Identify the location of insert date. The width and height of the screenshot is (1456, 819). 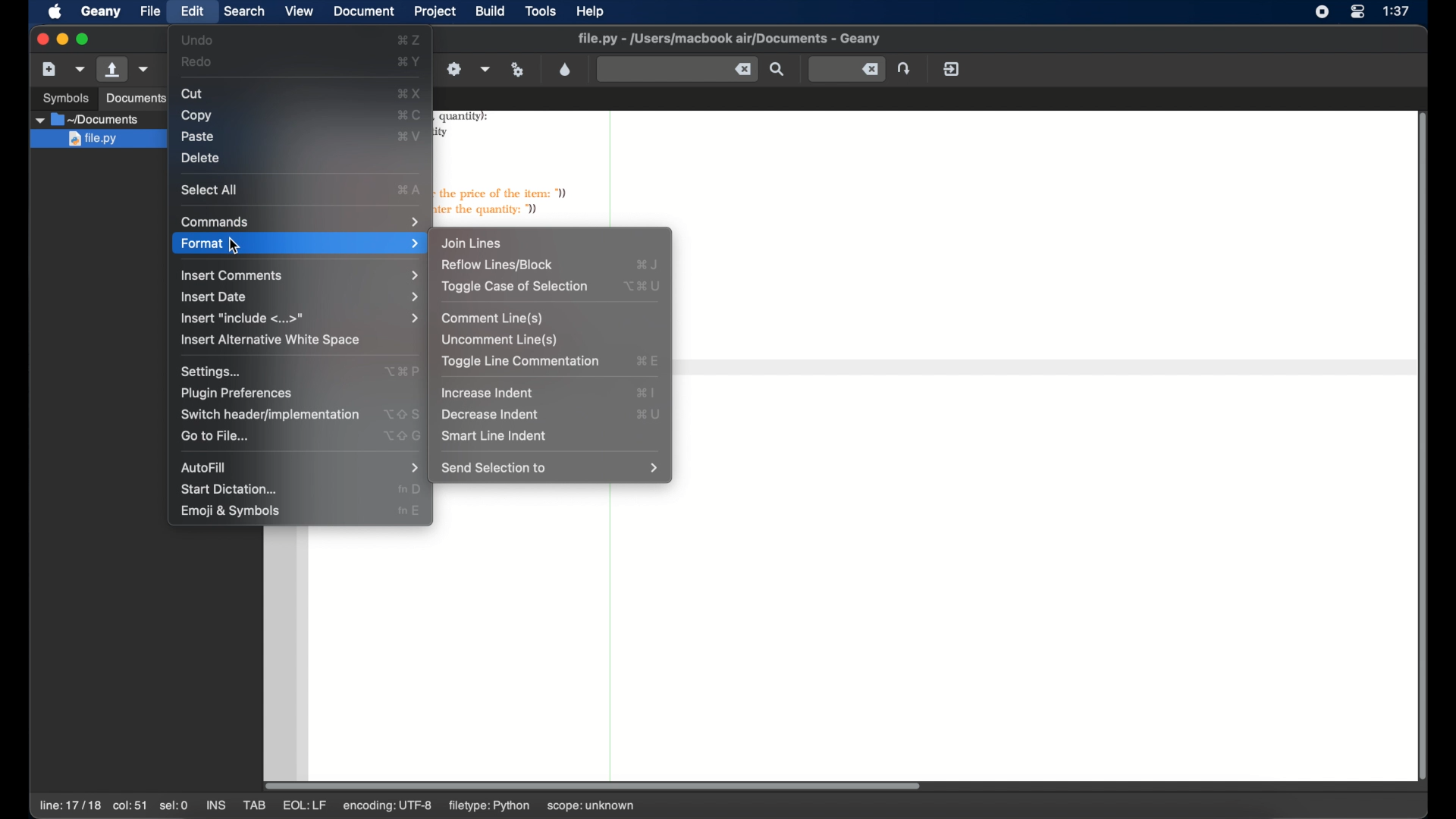
(300, 297).